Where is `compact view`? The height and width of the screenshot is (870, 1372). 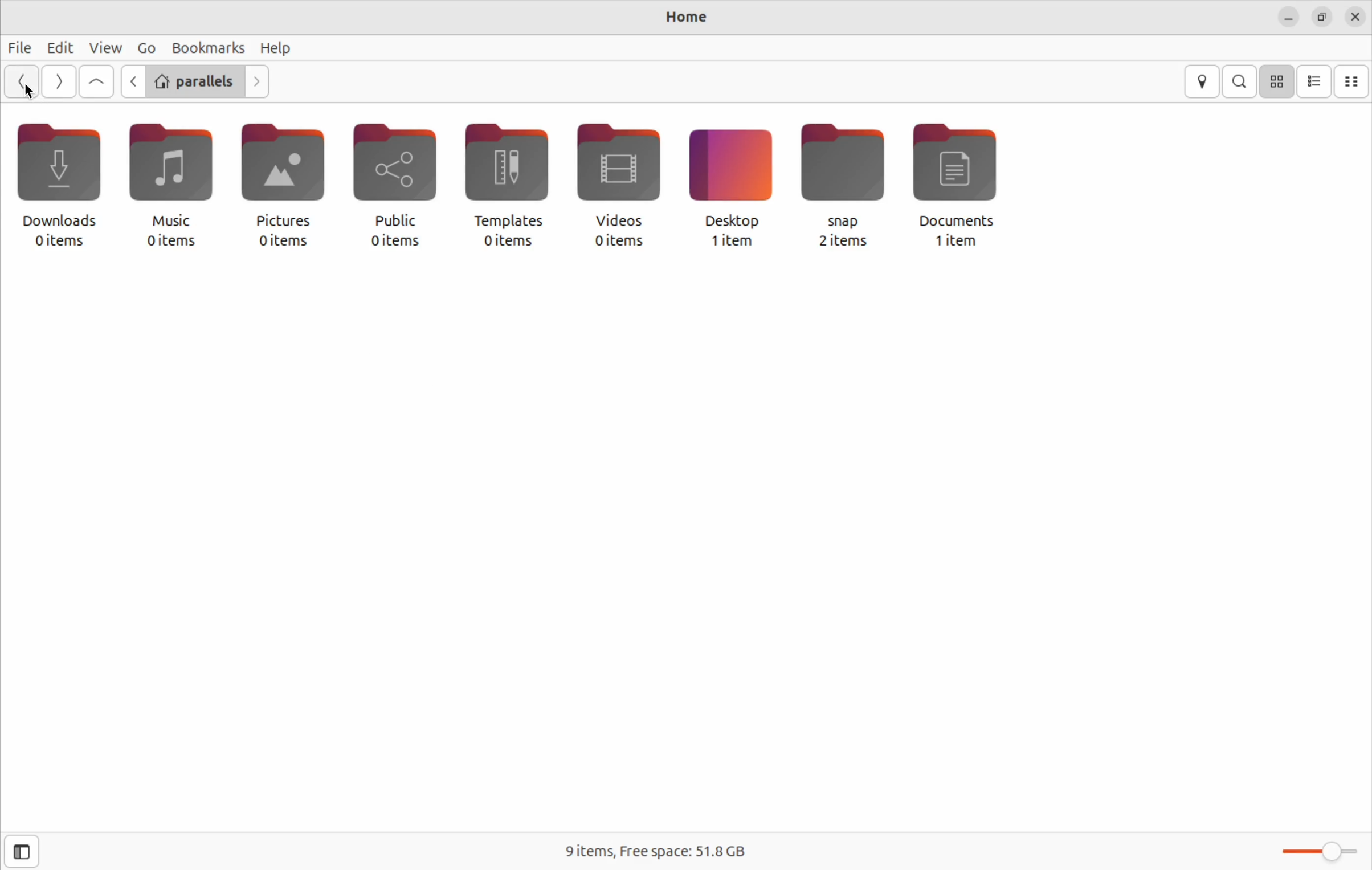
compact view is located at coordinates (1352, 80).